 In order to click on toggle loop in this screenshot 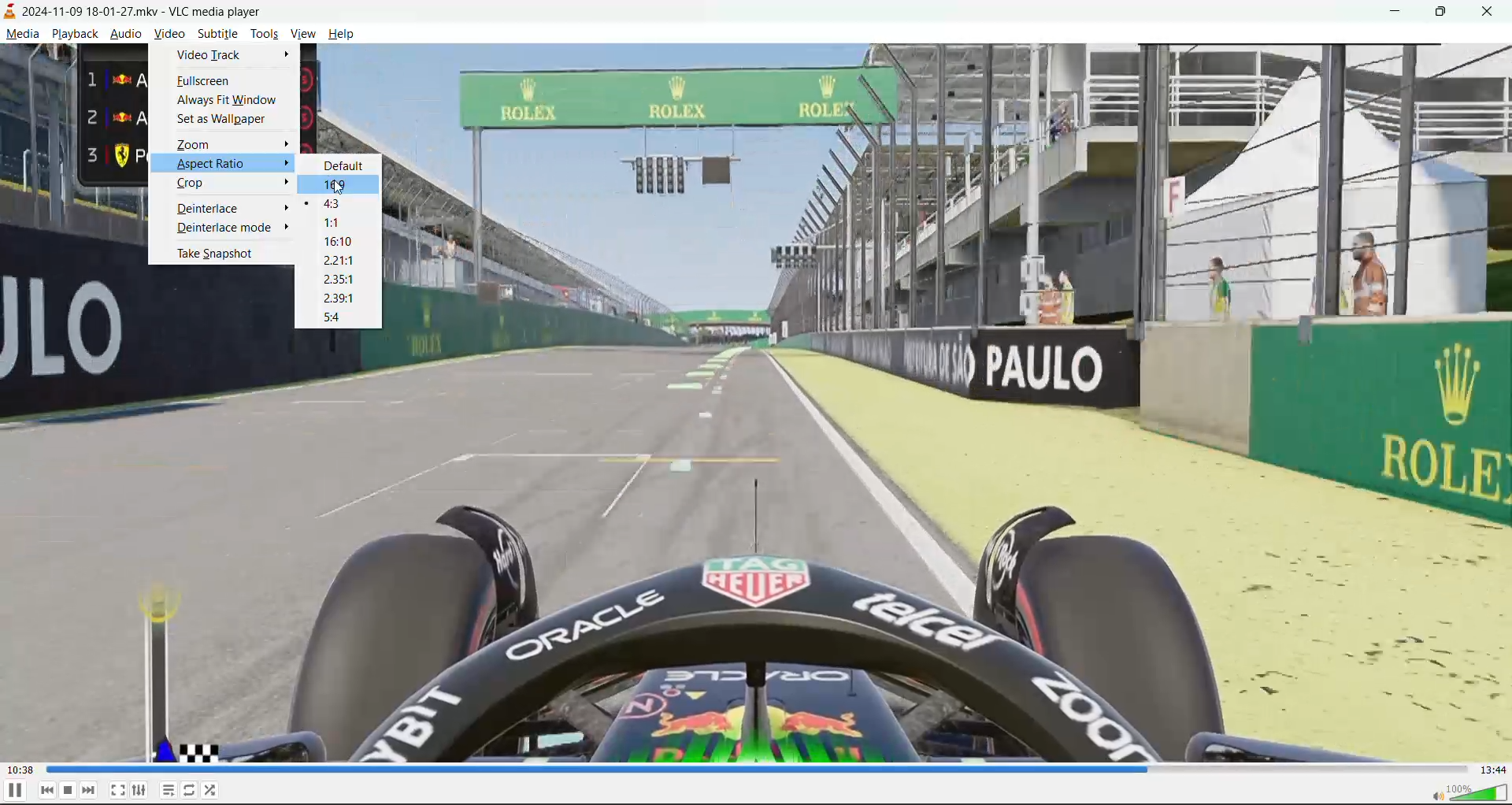, I will do `click(191, 791)`.